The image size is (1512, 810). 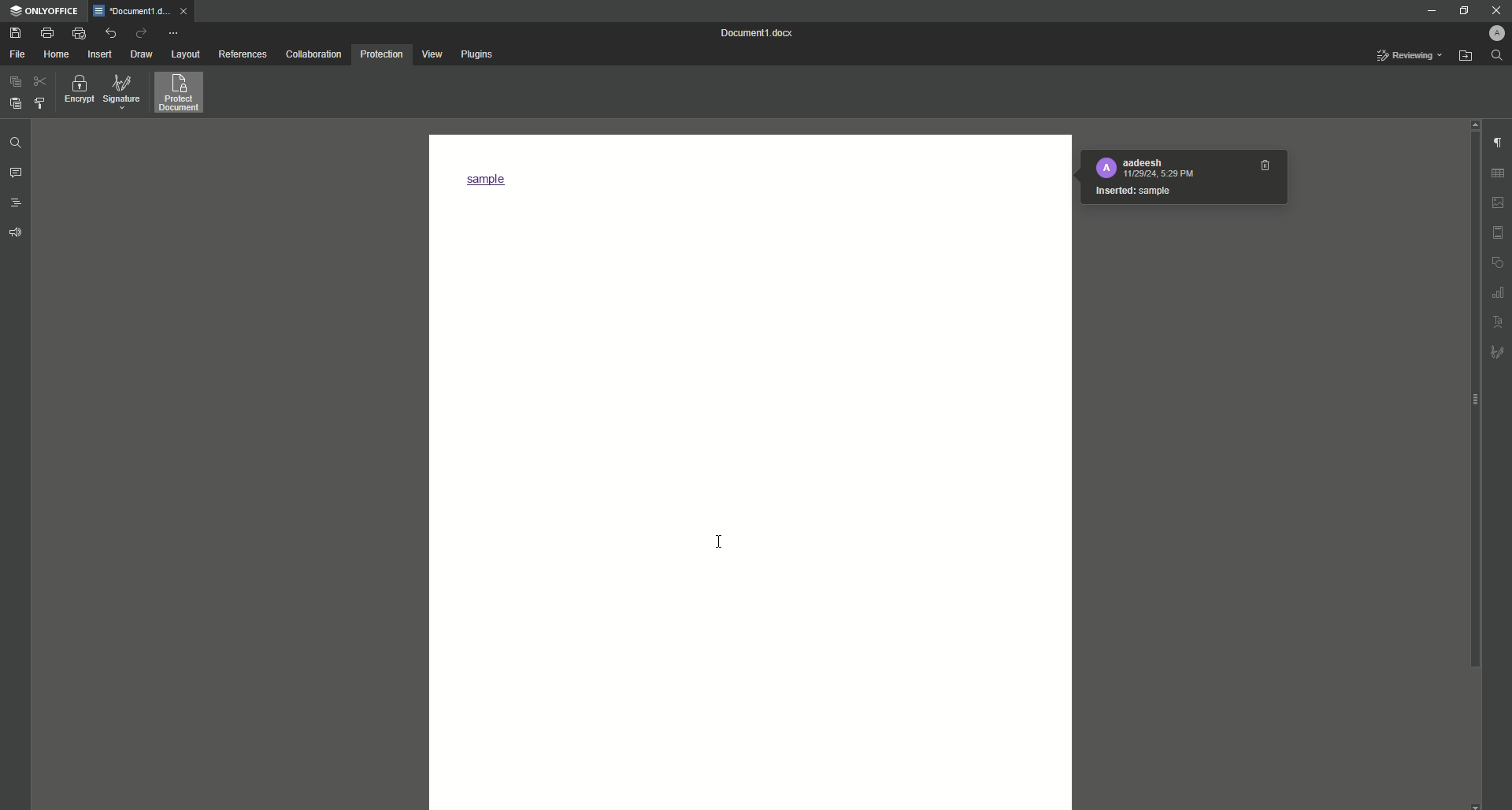 I want to click on More Options, so click(x=175, y=32).